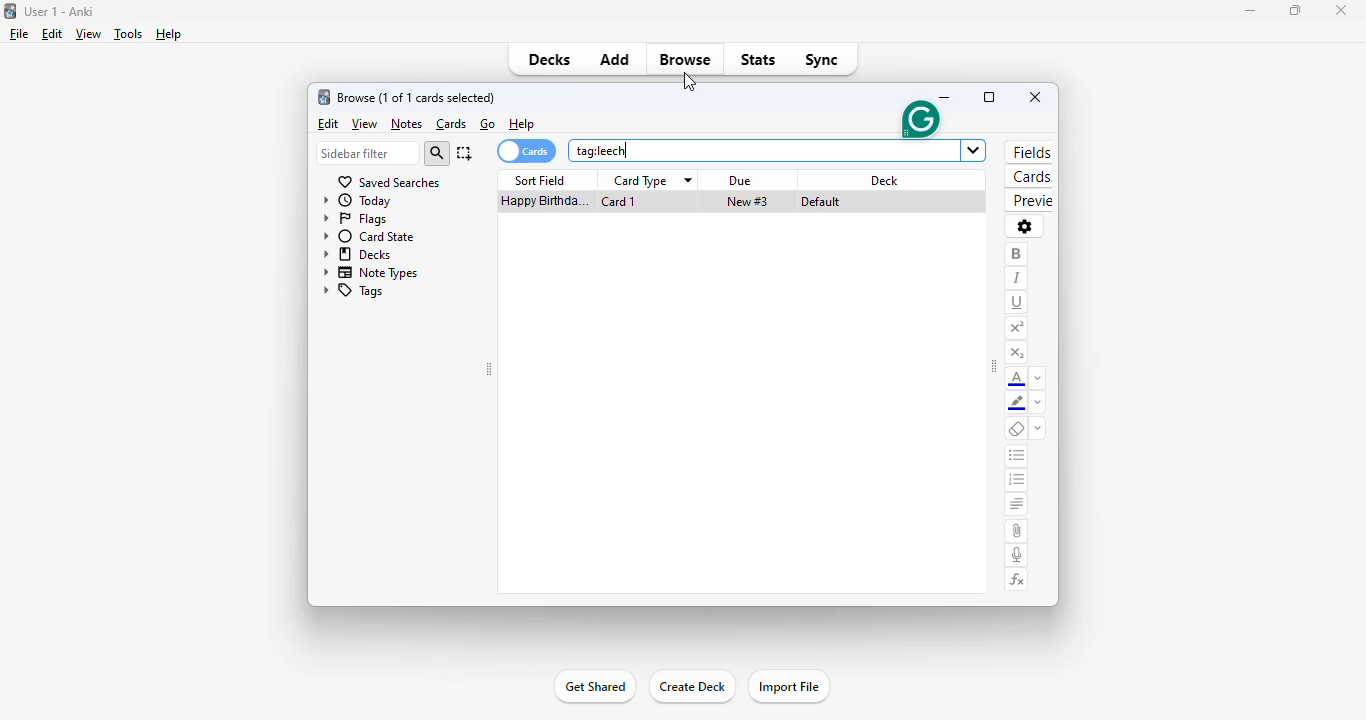  I want to click on select, so click(465, 153).